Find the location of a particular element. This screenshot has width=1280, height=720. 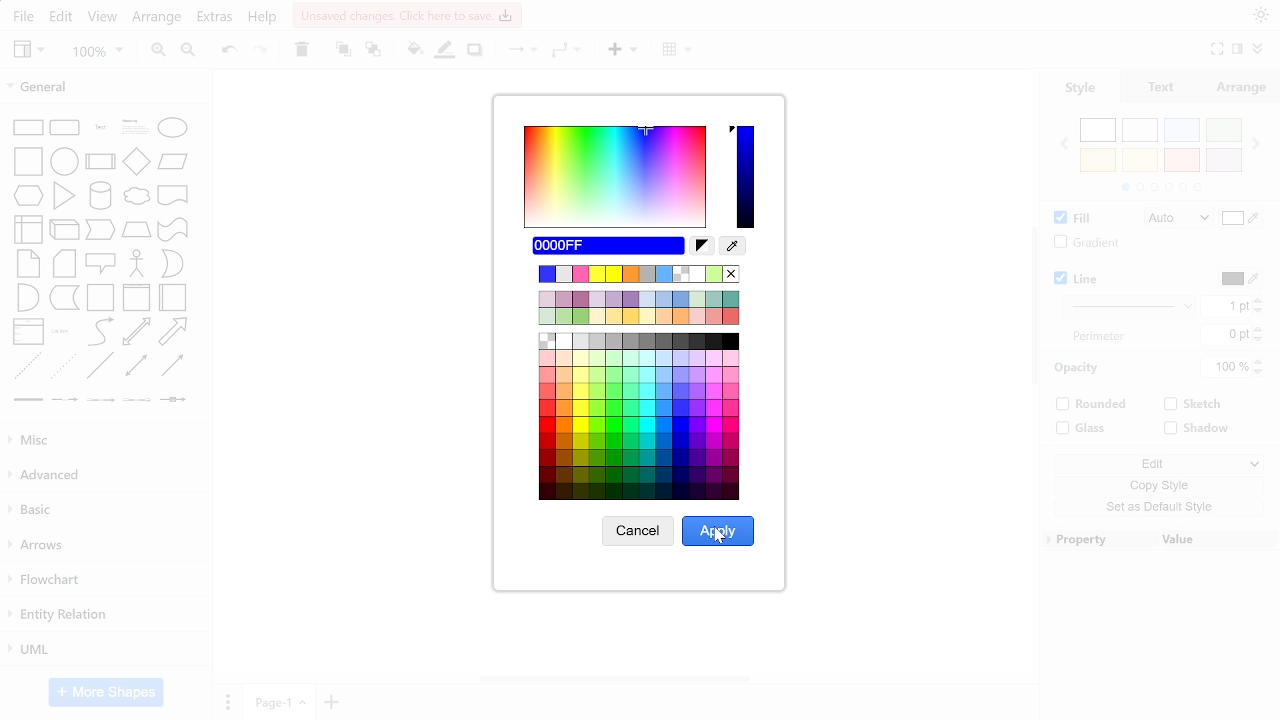

UML is located at coordinates (103, 651).